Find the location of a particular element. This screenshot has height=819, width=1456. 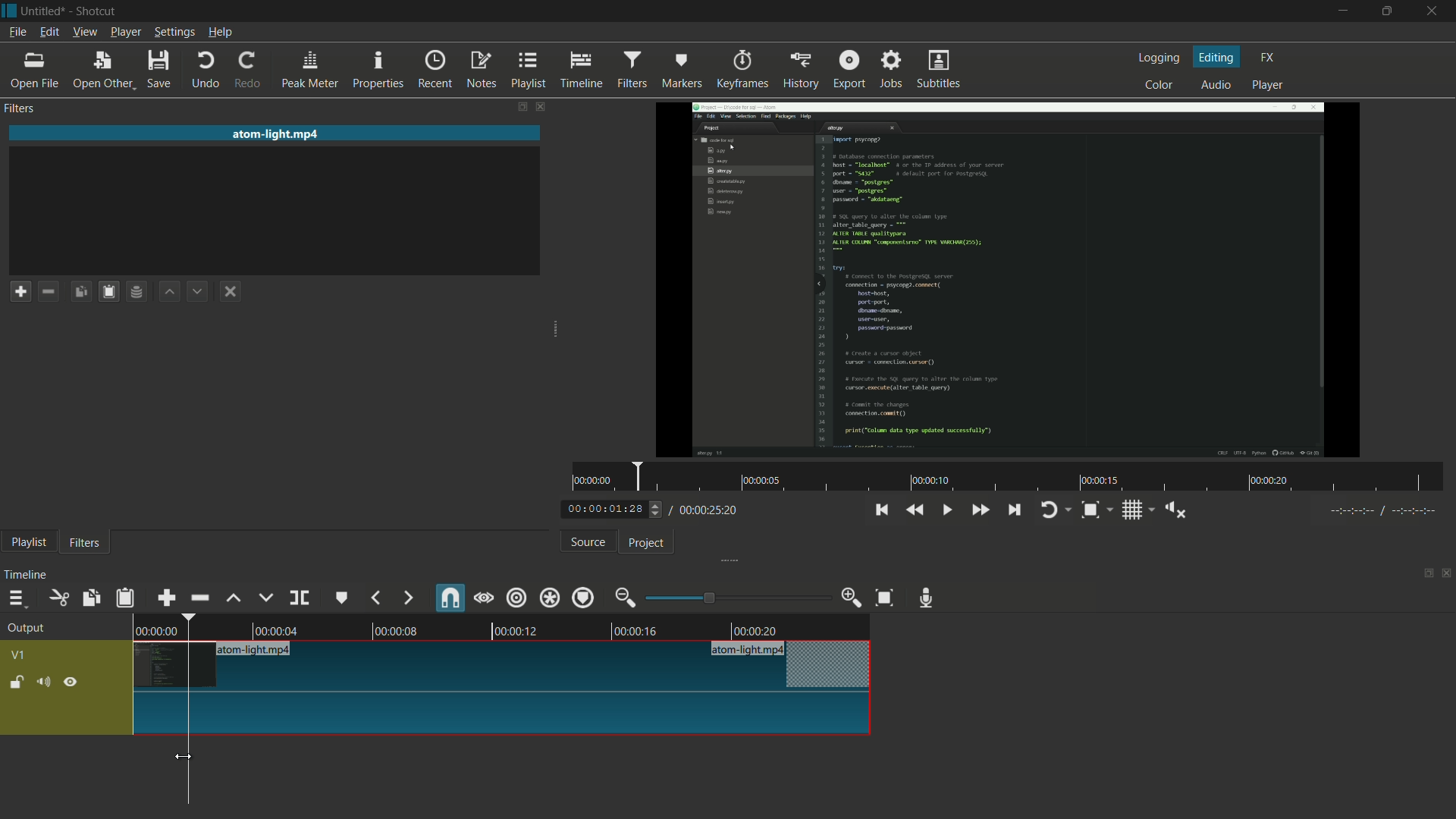

open other is located at coordinates (104, 71).